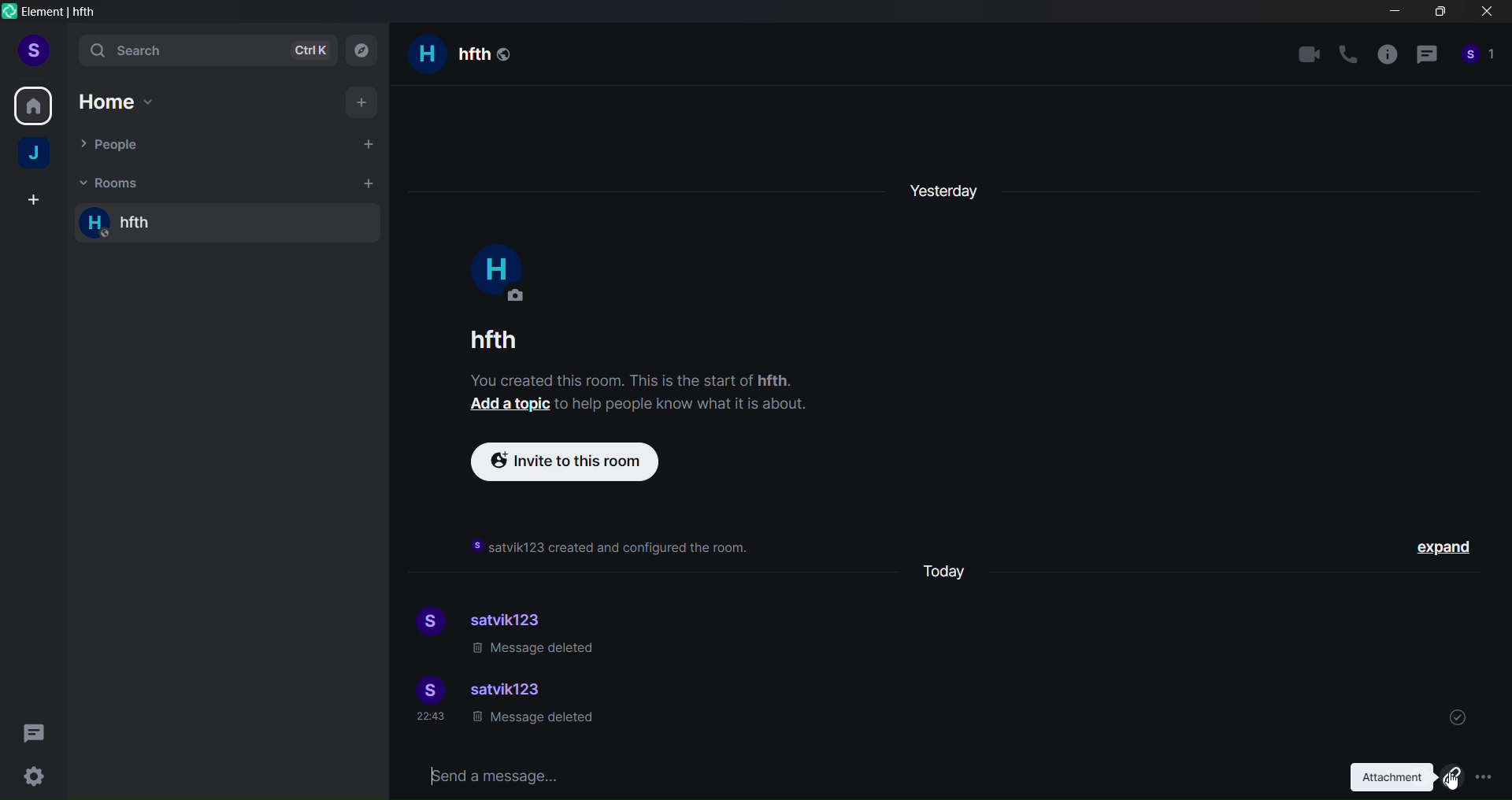 This screenshot has height=800, width=1512. I want to click on search, so click(204, 52).